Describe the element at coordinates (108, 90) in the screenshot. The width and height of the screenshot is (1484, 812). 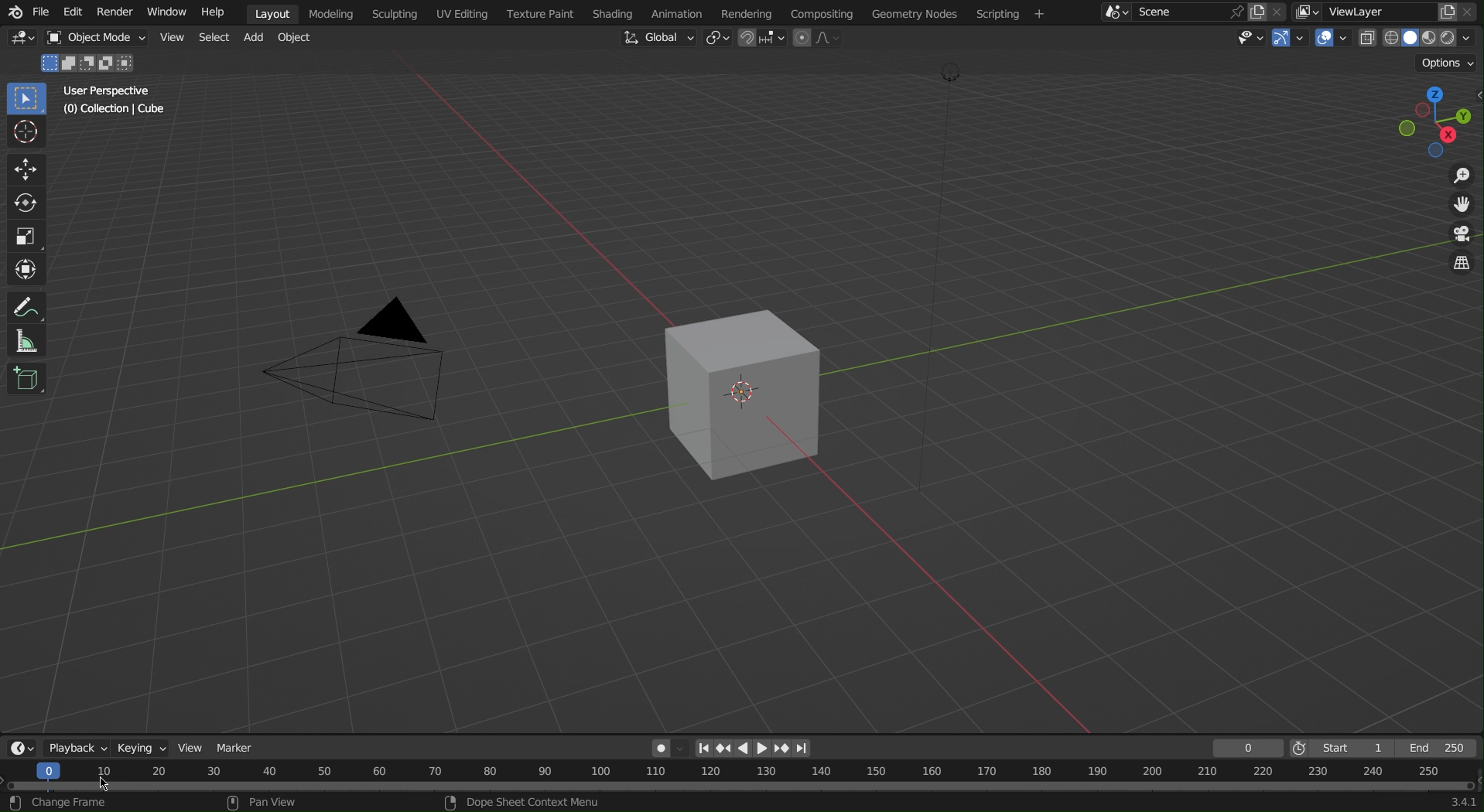
I see `User Perspective` at that location.